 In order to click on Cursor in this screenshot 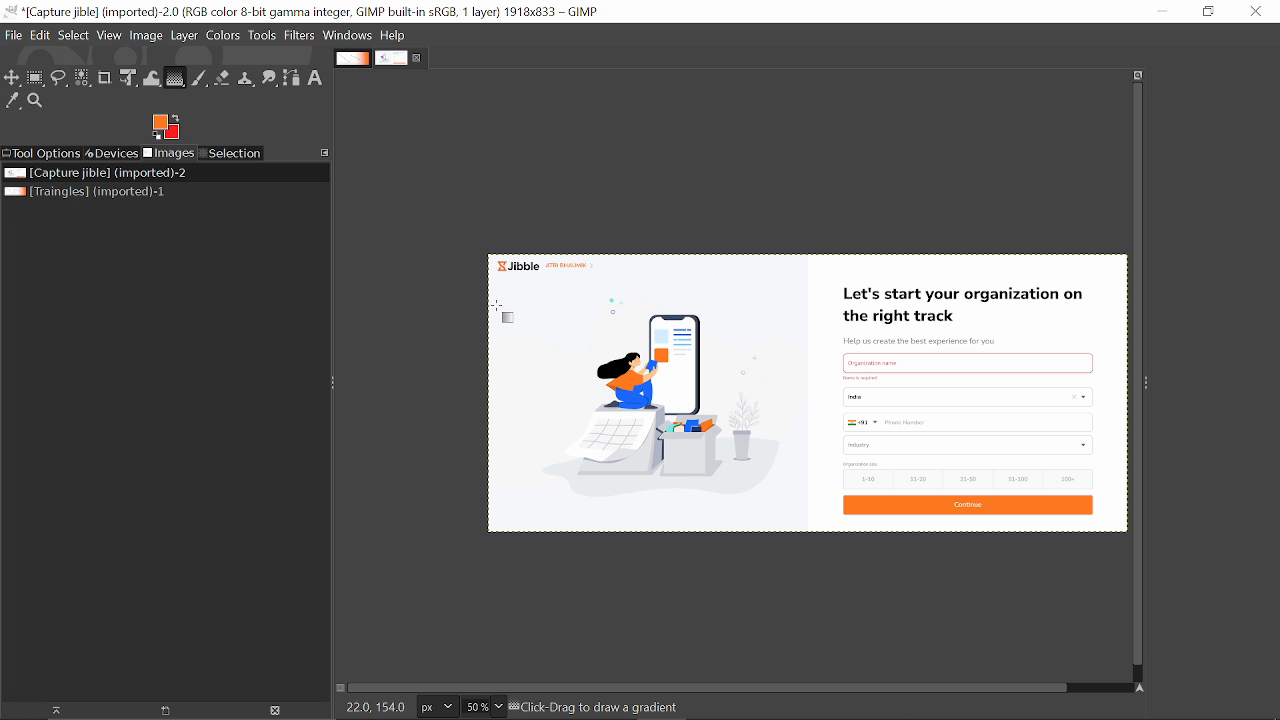, I will do `click(504, 313)`.